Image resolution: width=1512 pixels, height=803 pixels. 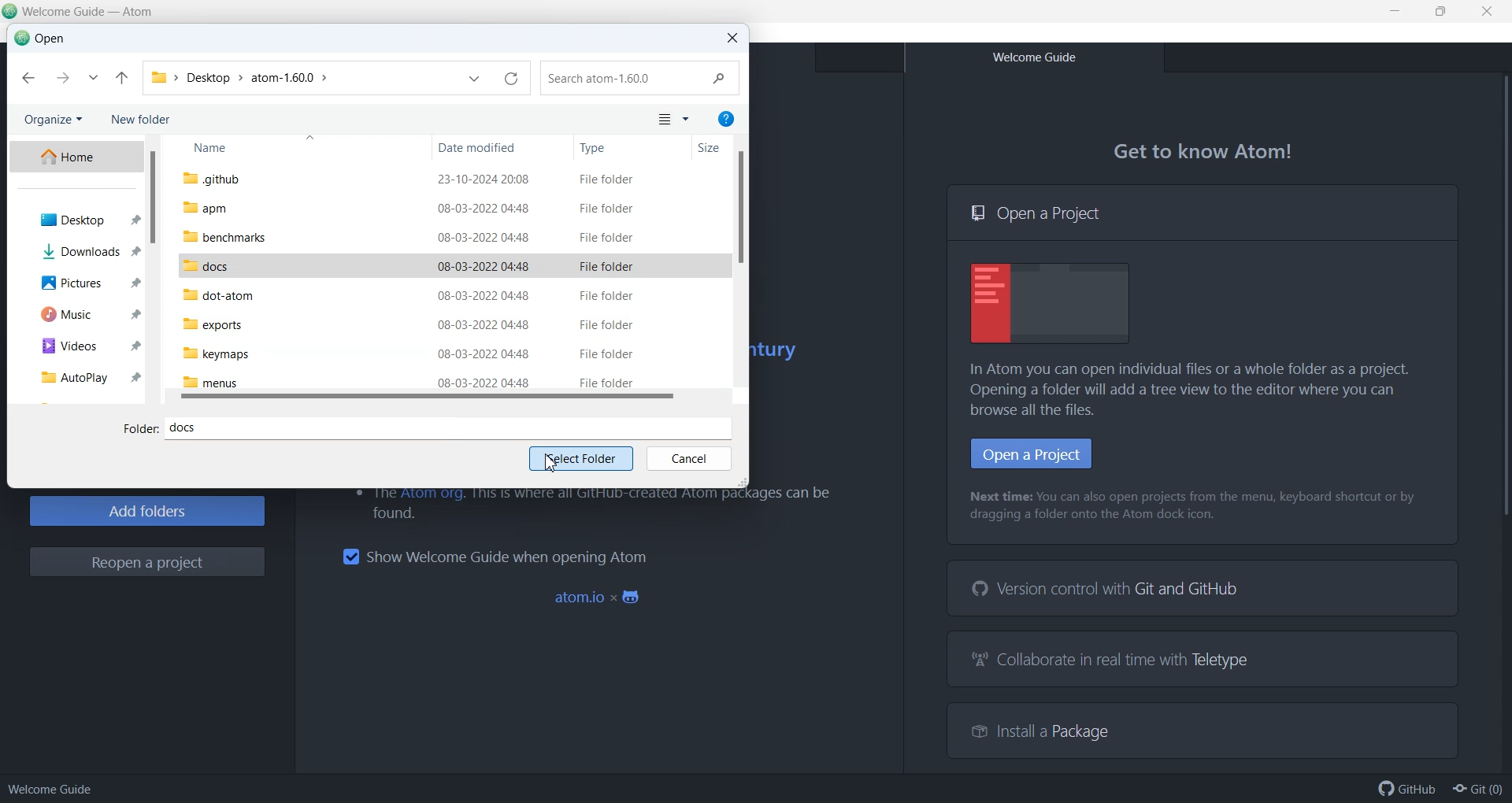 What do you see at coordinates (283, 77) in the screenshot?
I see `atom-1.60.0` at bounding box center [283, 77].